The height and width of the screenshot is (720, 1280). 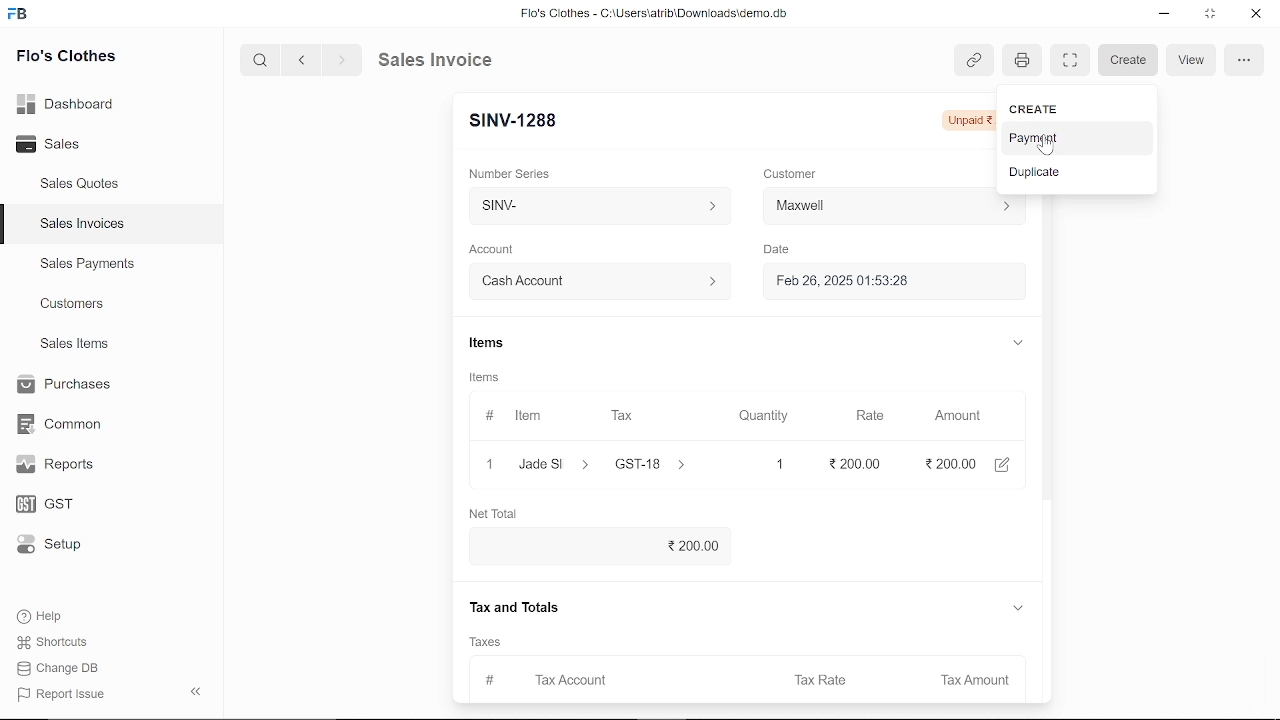 I want to click on Shortcuts, so click(x=63, y=643).